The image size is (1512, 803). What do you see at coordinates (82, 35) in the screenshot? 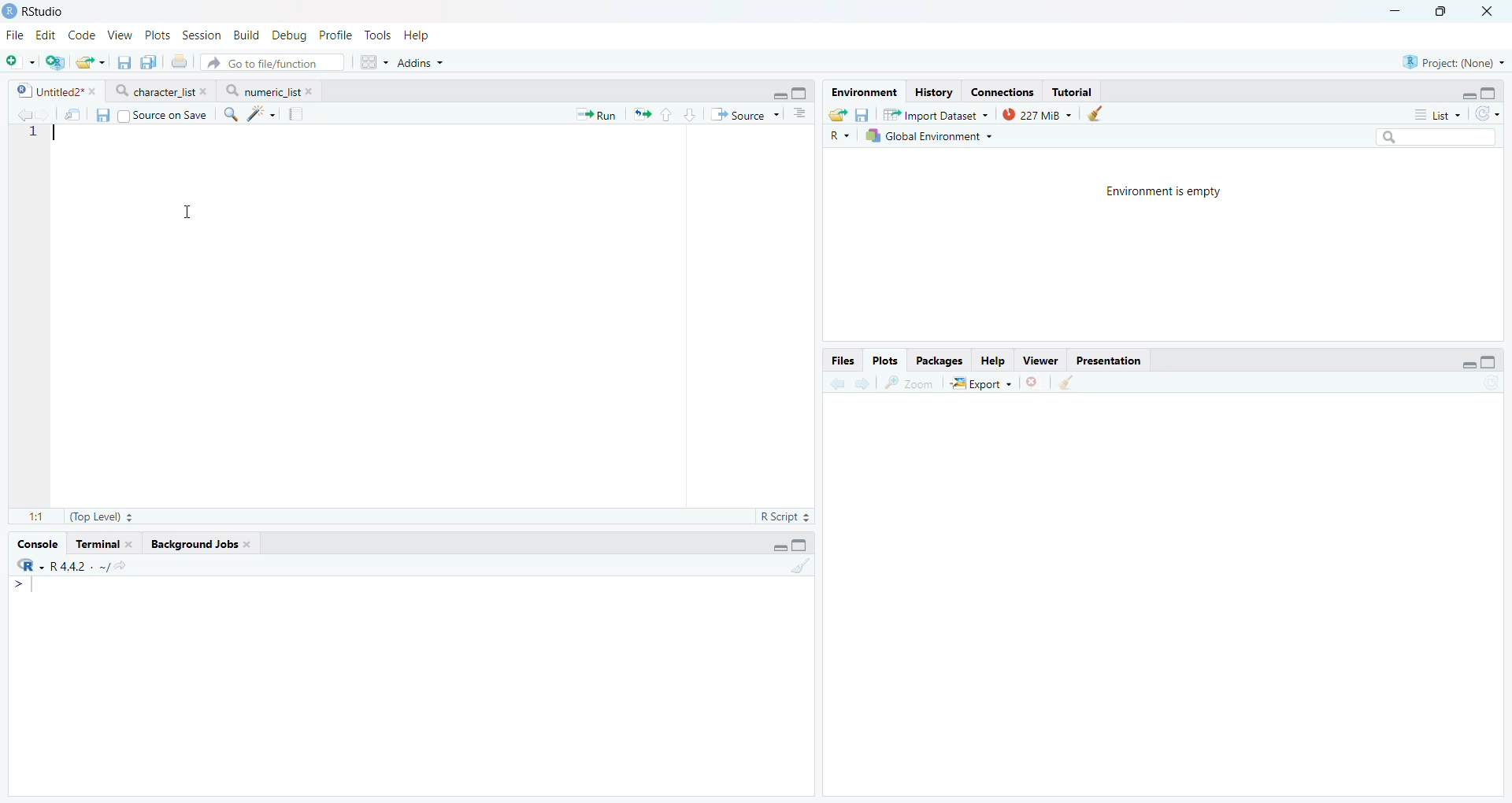
I see `Code` at bounding box center [82, 35].